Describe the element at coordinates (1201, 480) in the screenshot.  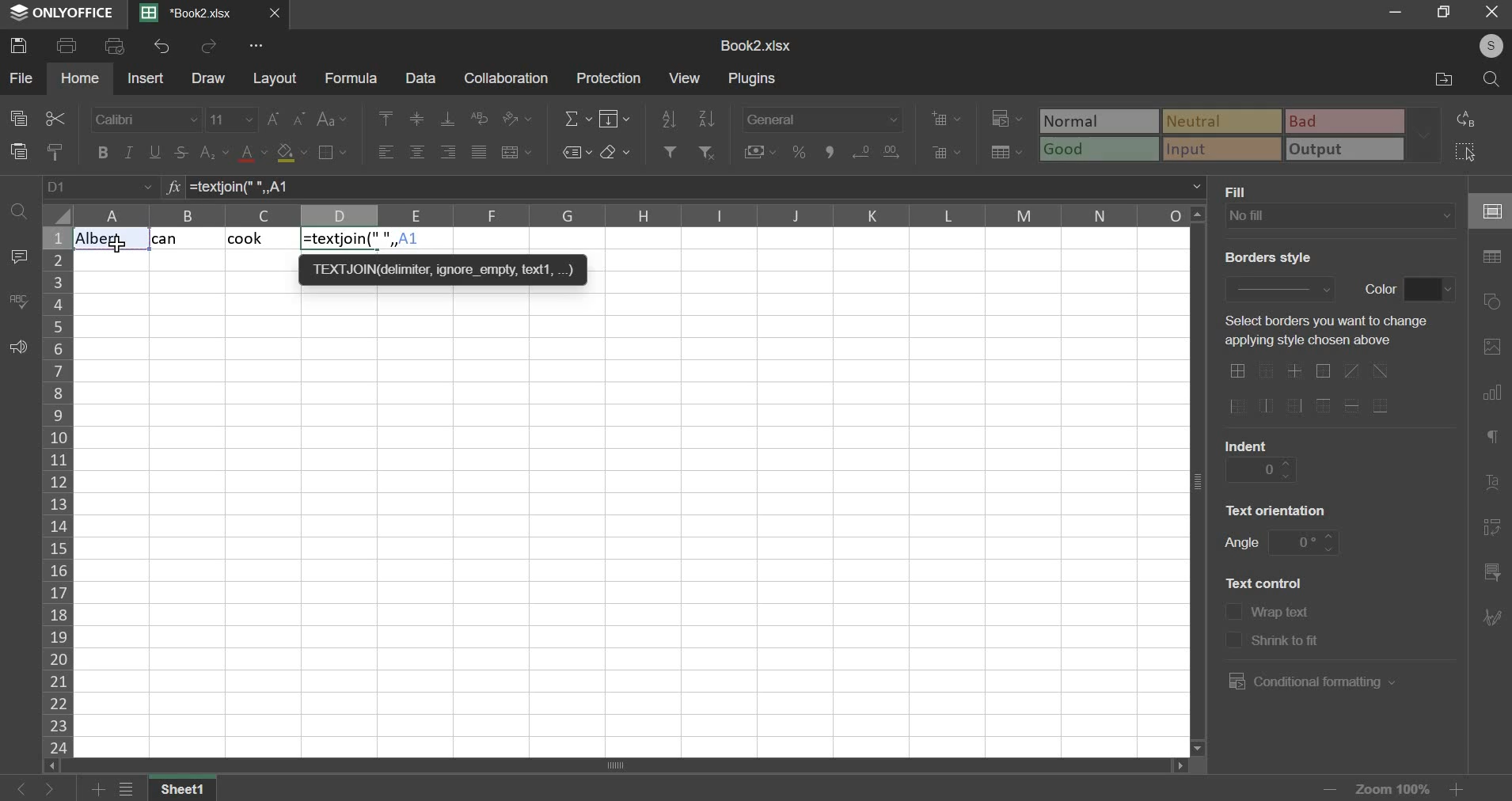
I see `vertical scroll bar` at that location.